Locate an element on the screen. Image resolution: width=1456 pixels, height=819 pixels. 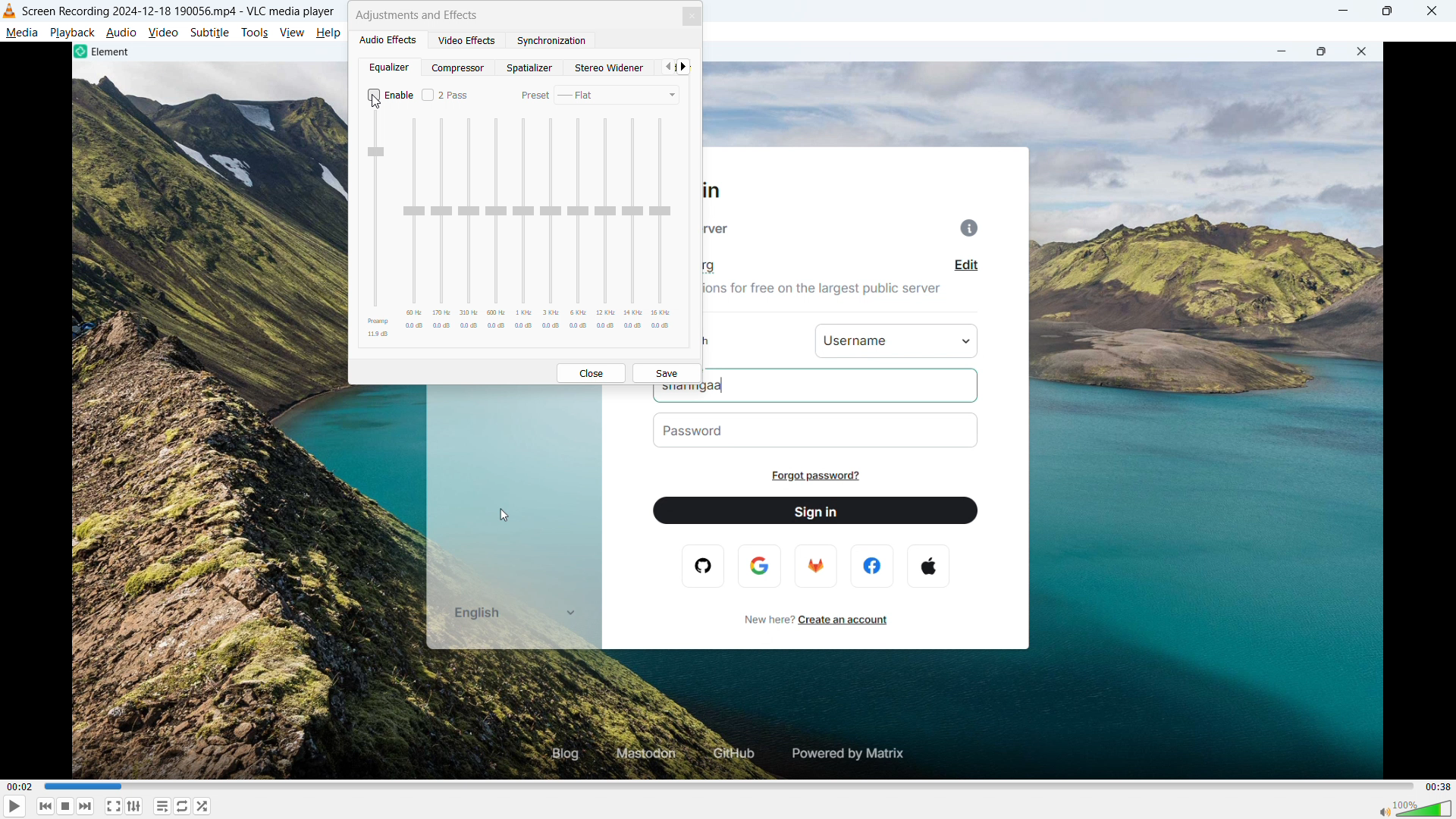
Spatializer  is located at coordinates (530, 70).